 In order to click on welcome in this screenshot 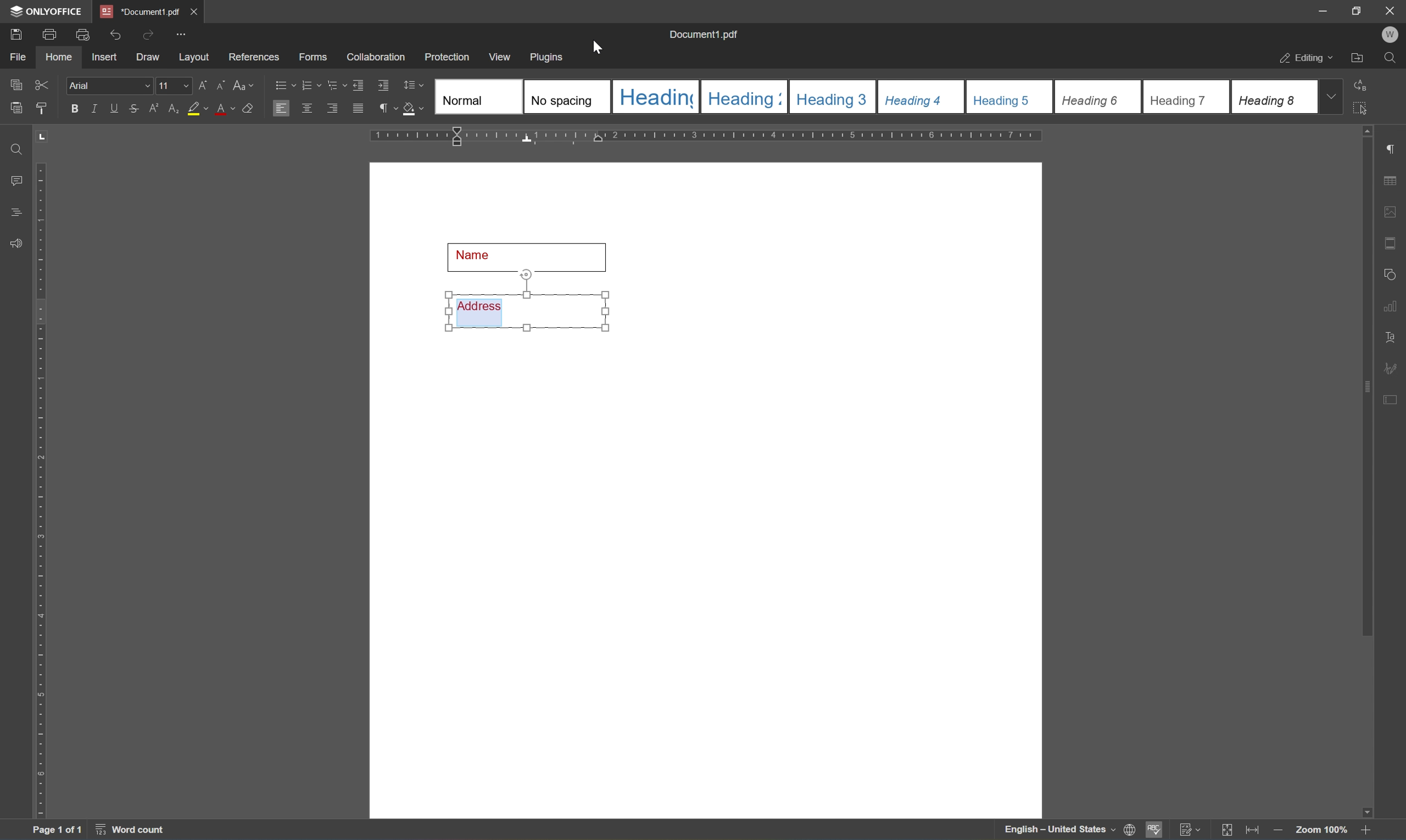, I will do `click(1390, 35)`.